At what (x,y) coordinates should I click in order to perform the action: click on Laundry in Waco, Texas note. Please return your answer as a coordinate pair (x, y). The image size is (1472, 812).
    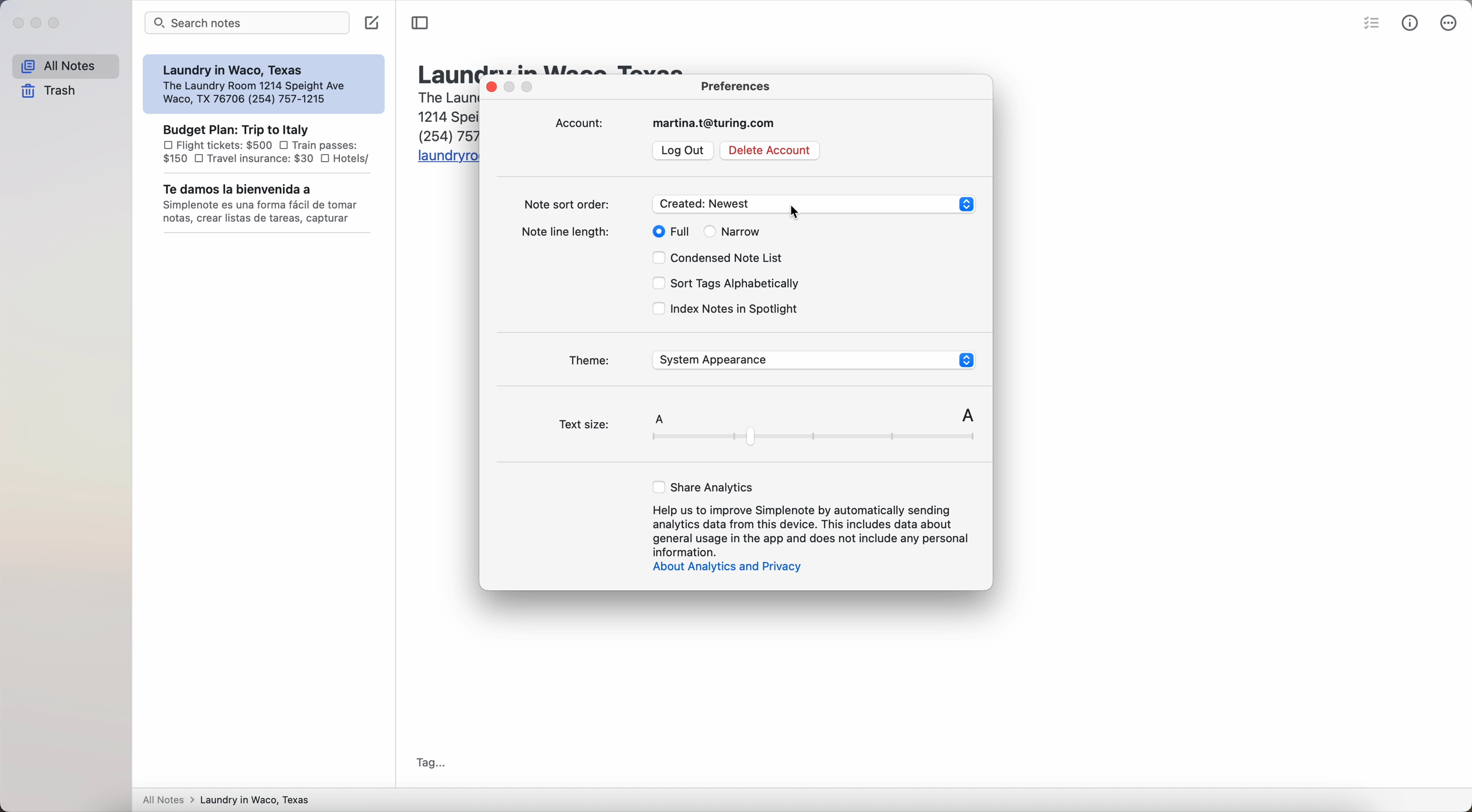
    Looking at the image, I should click on (262, 84).